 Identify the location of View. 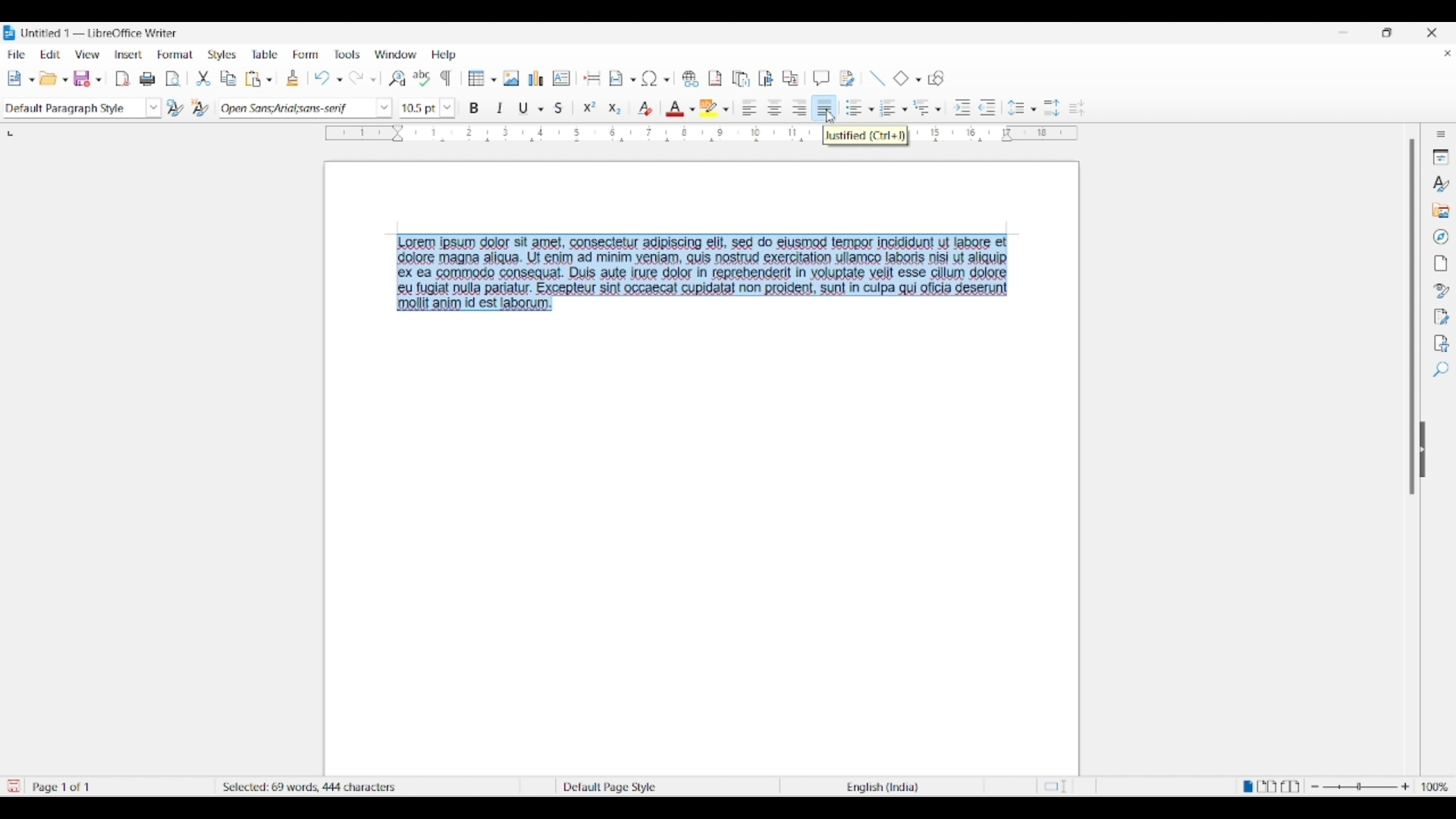
(88, 55).